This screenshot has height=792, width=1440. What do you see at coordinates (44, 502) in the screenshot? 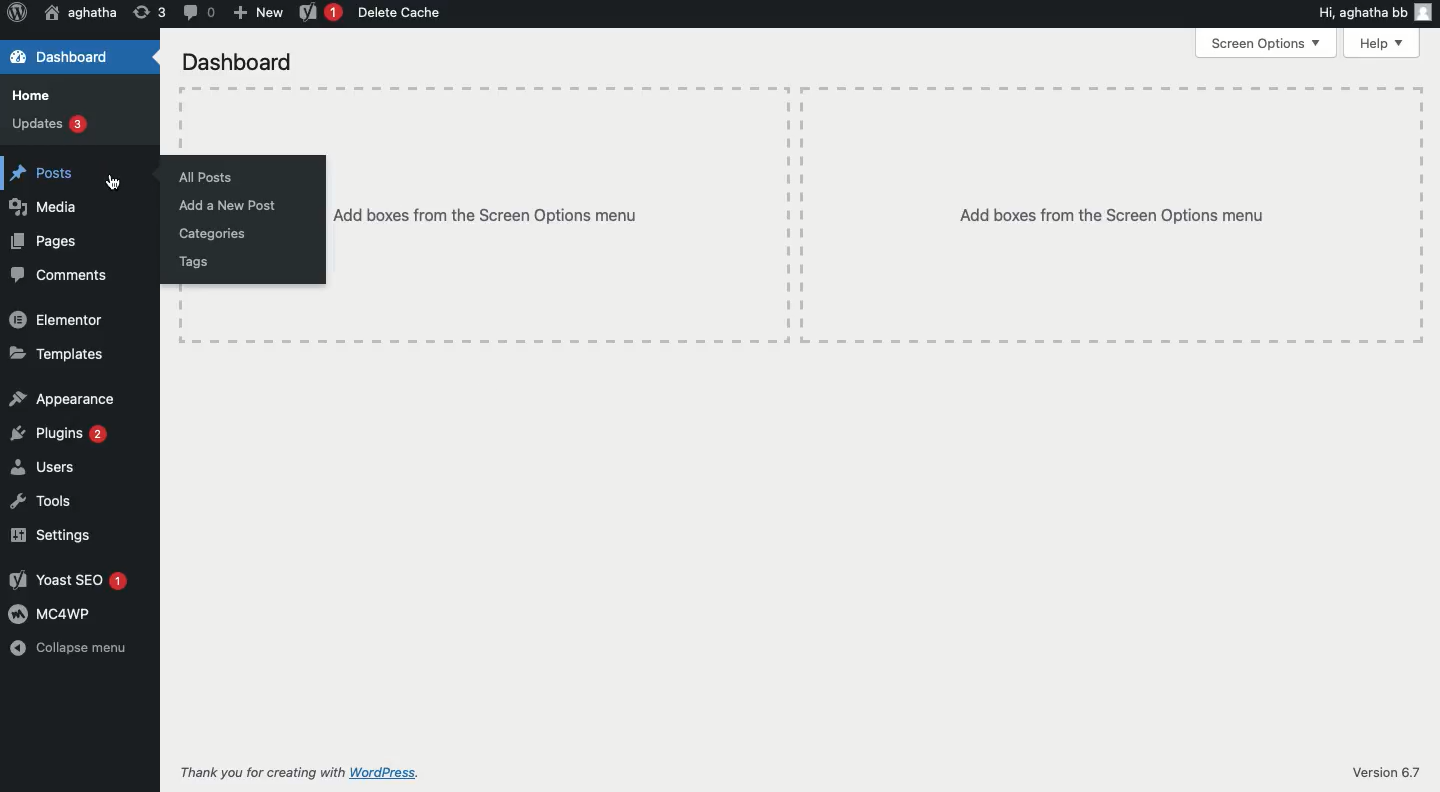
I see `Tools` at bounding box center [44, 502].